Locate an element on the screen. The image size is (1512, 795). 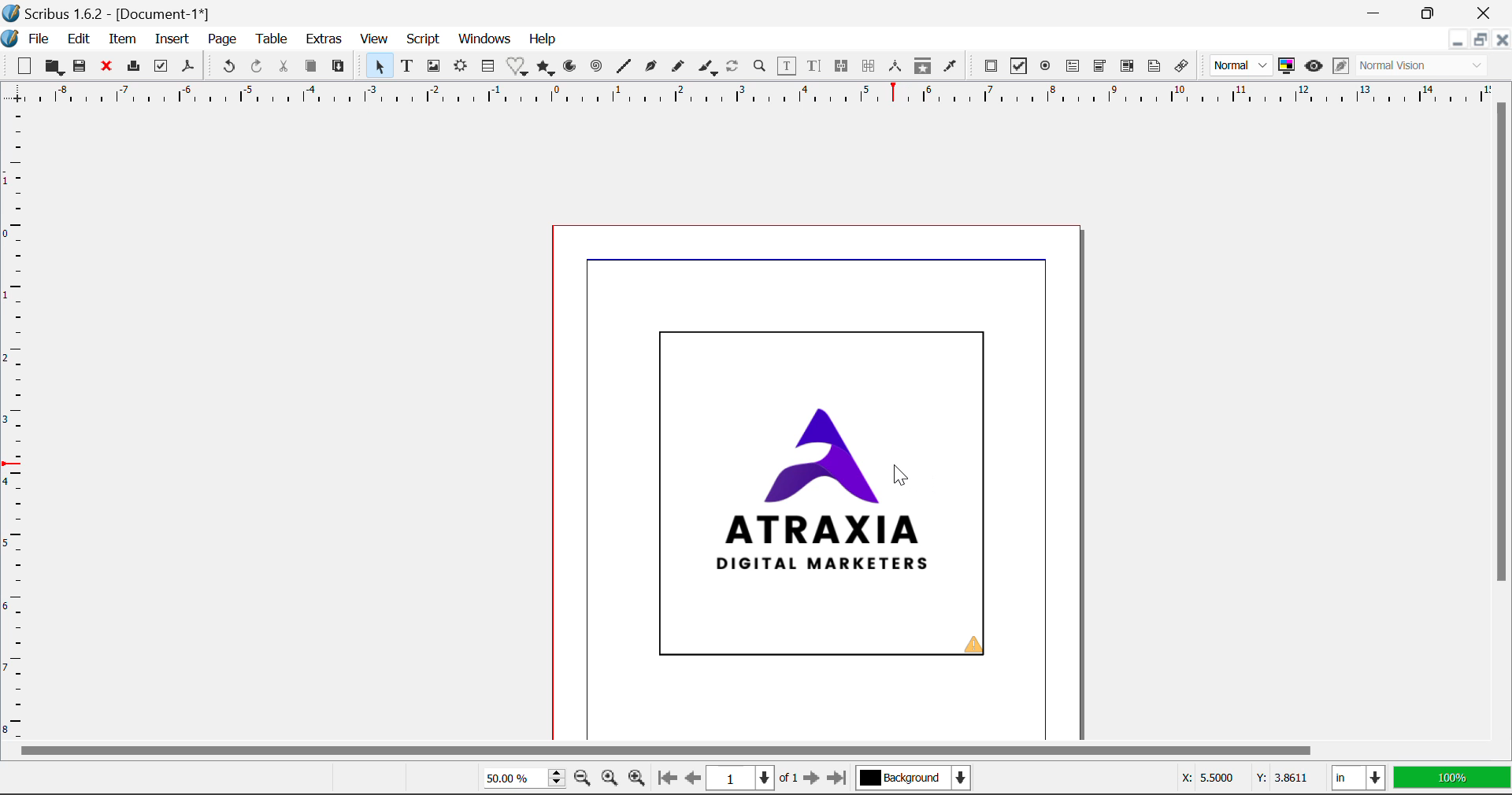
Print is located at coordinates (136, 68).